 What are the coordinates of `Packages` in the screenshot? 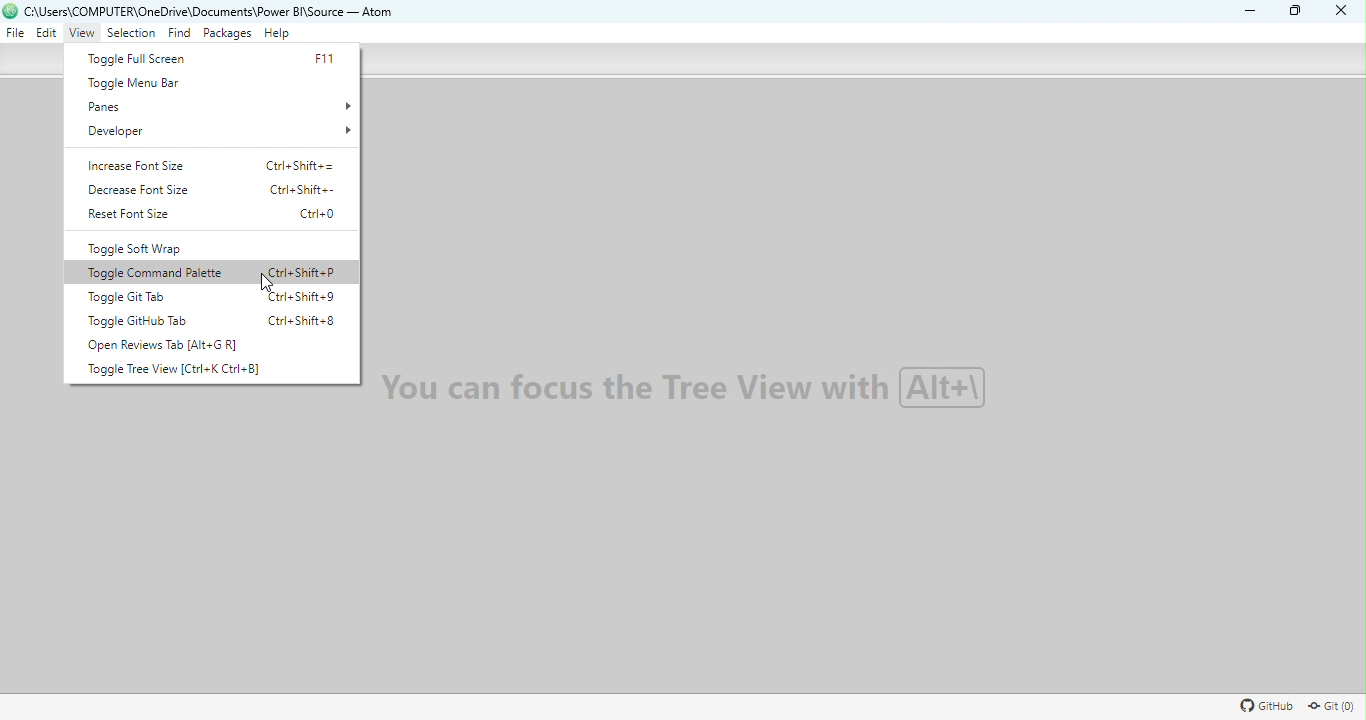 It's located at (228, 34).